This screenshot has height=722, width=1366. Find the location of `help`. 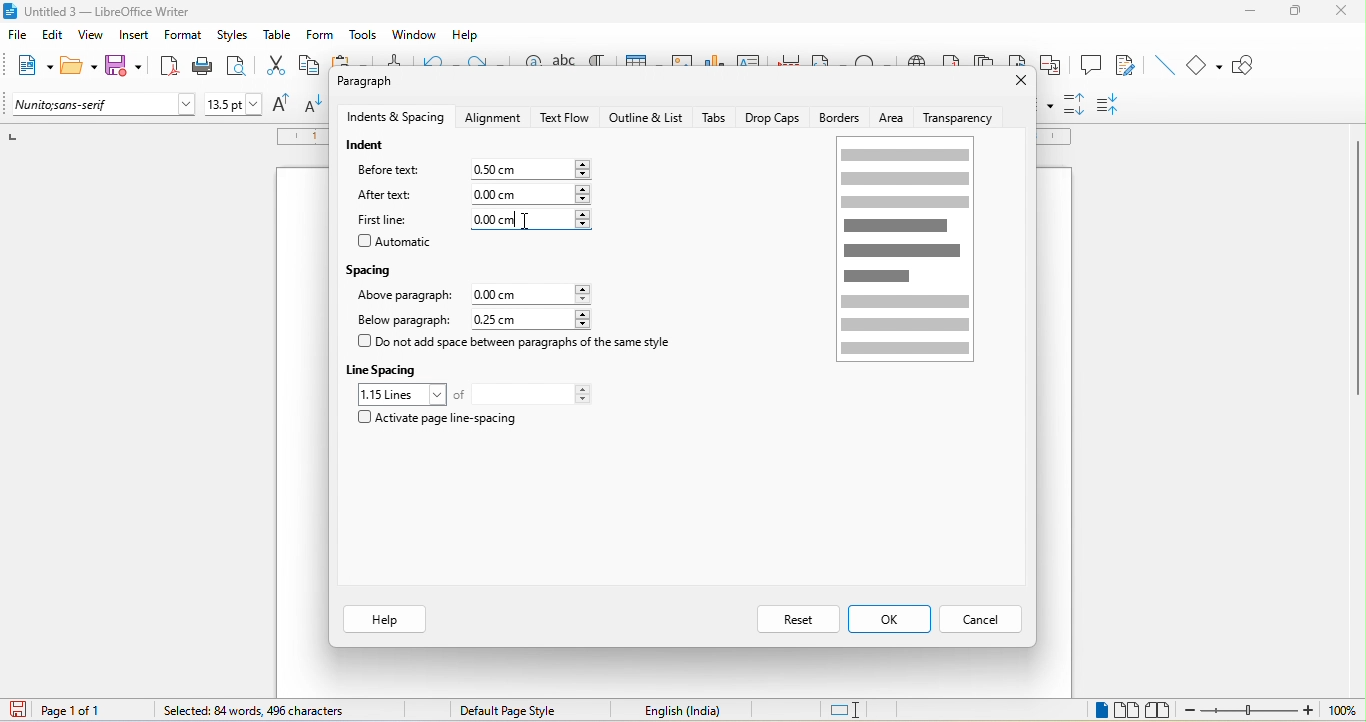

help is located at coordinates (383, 620).